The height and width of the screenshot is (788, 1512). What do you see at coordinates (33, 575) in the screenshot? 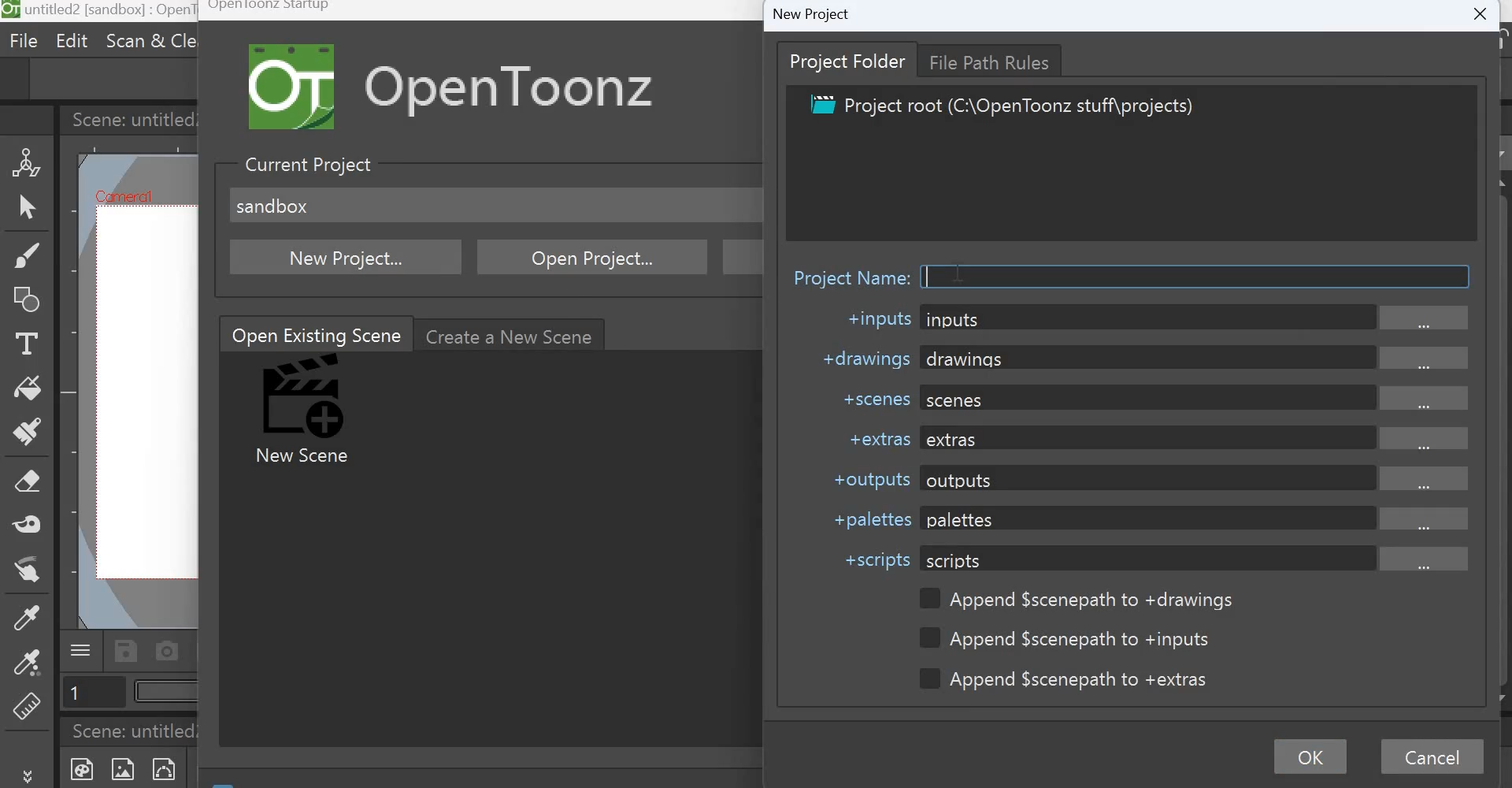
I see `Finger tool` at bounding box center [33, 575].